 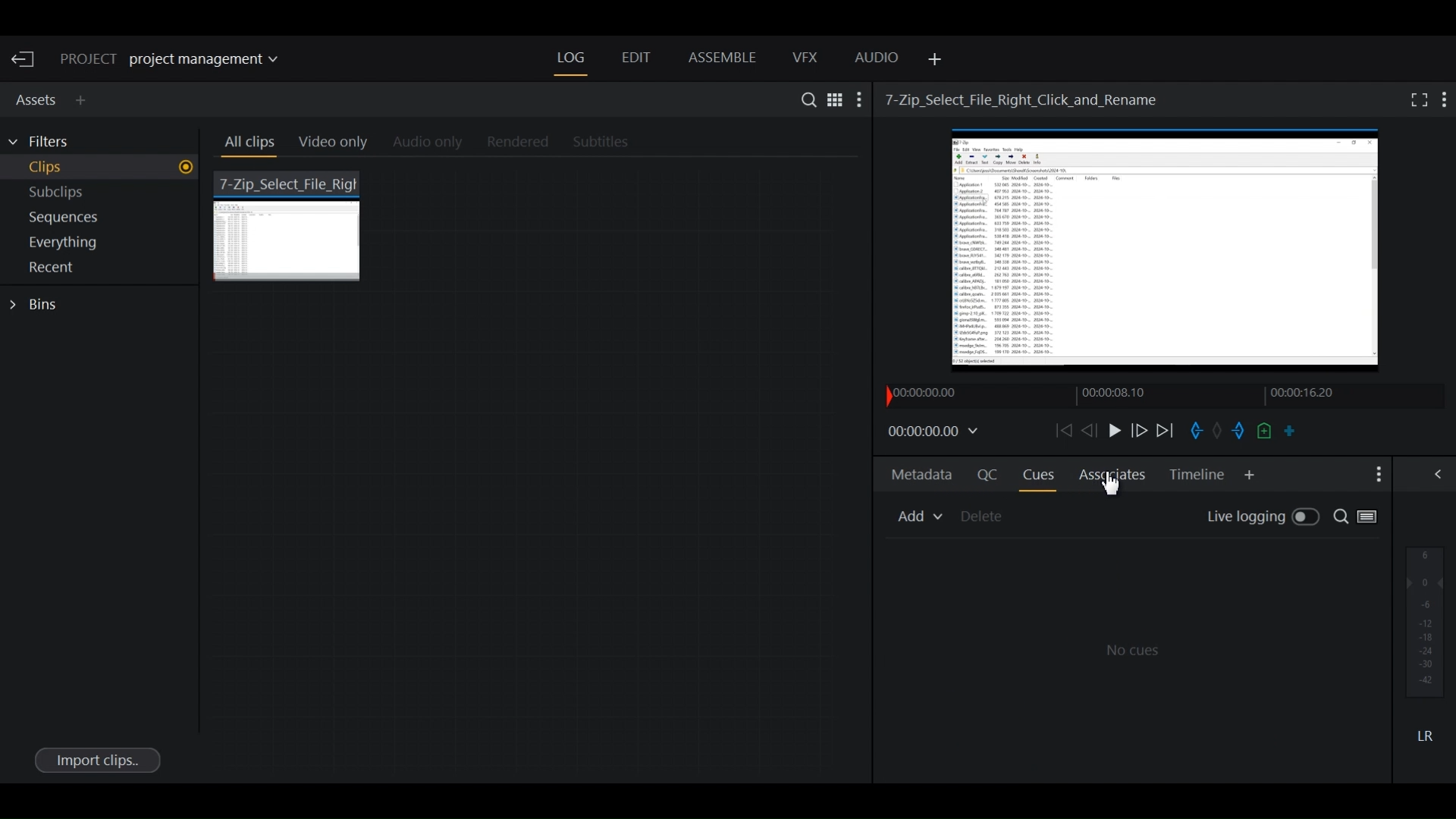 What do you see at coordinates (722, 58) in the screenshot?
I see `Assemble` at bounding box center [722, 58].